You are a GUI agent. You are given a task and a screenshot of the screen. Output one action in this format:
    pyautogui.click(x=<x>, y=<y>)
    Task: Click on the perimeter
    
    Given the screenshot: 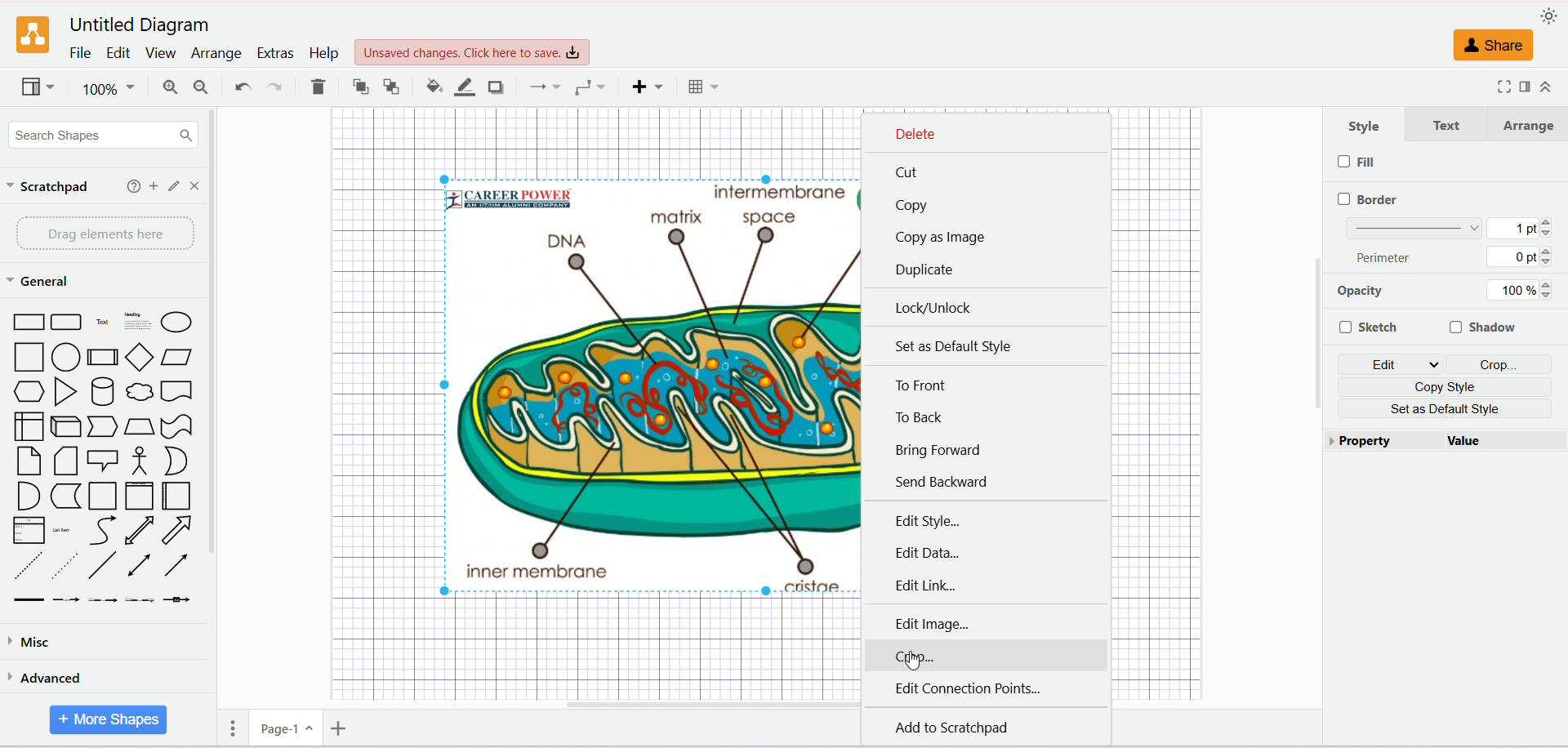 What is the action you would take?
    pyautogui.click(x=1389, y=260)
    